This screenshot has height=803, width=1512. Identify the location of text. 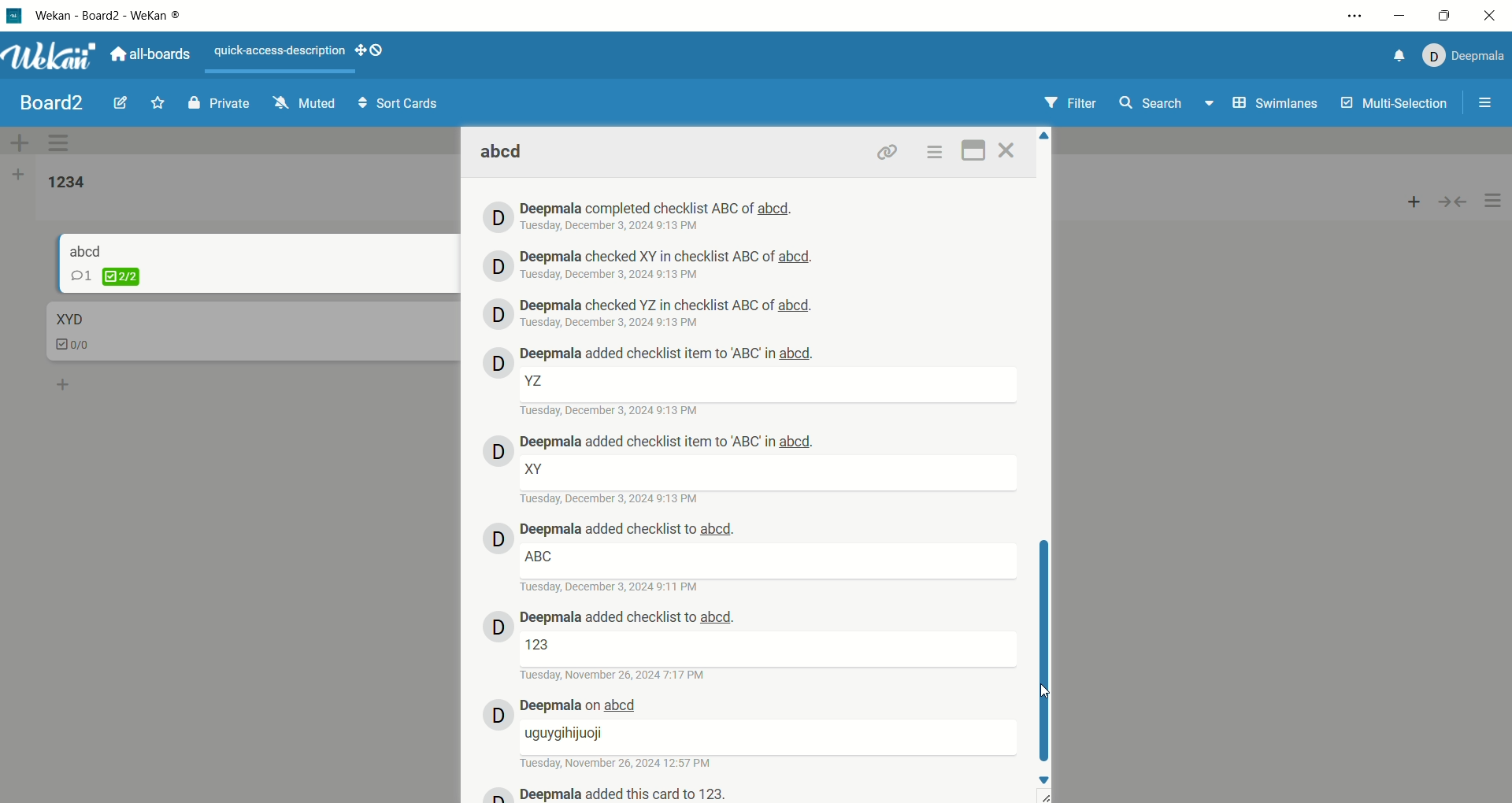
(535, 382).